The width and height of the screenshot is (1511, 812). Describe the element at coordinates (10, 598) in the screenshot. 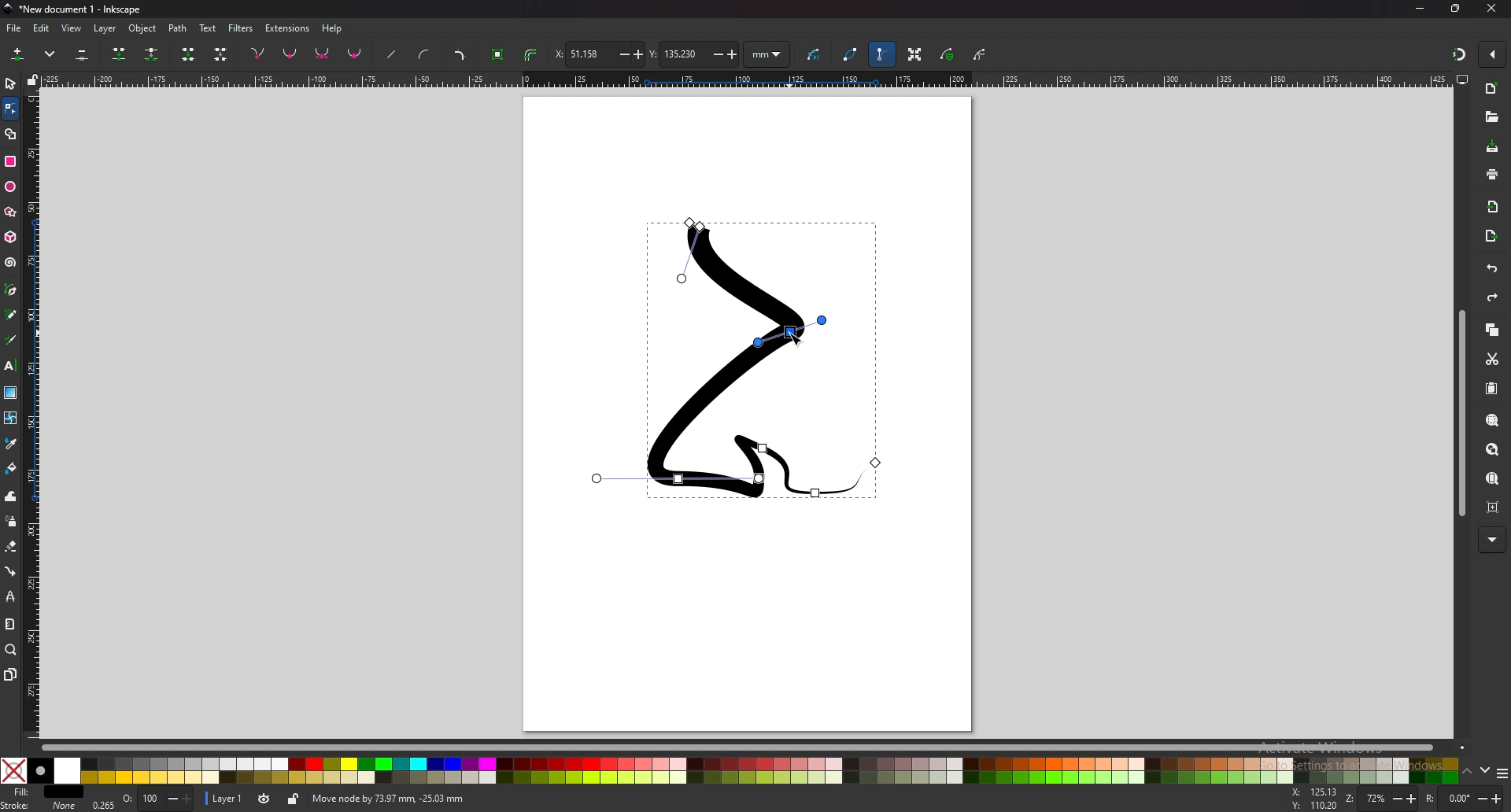

I see `lpe` at that location.